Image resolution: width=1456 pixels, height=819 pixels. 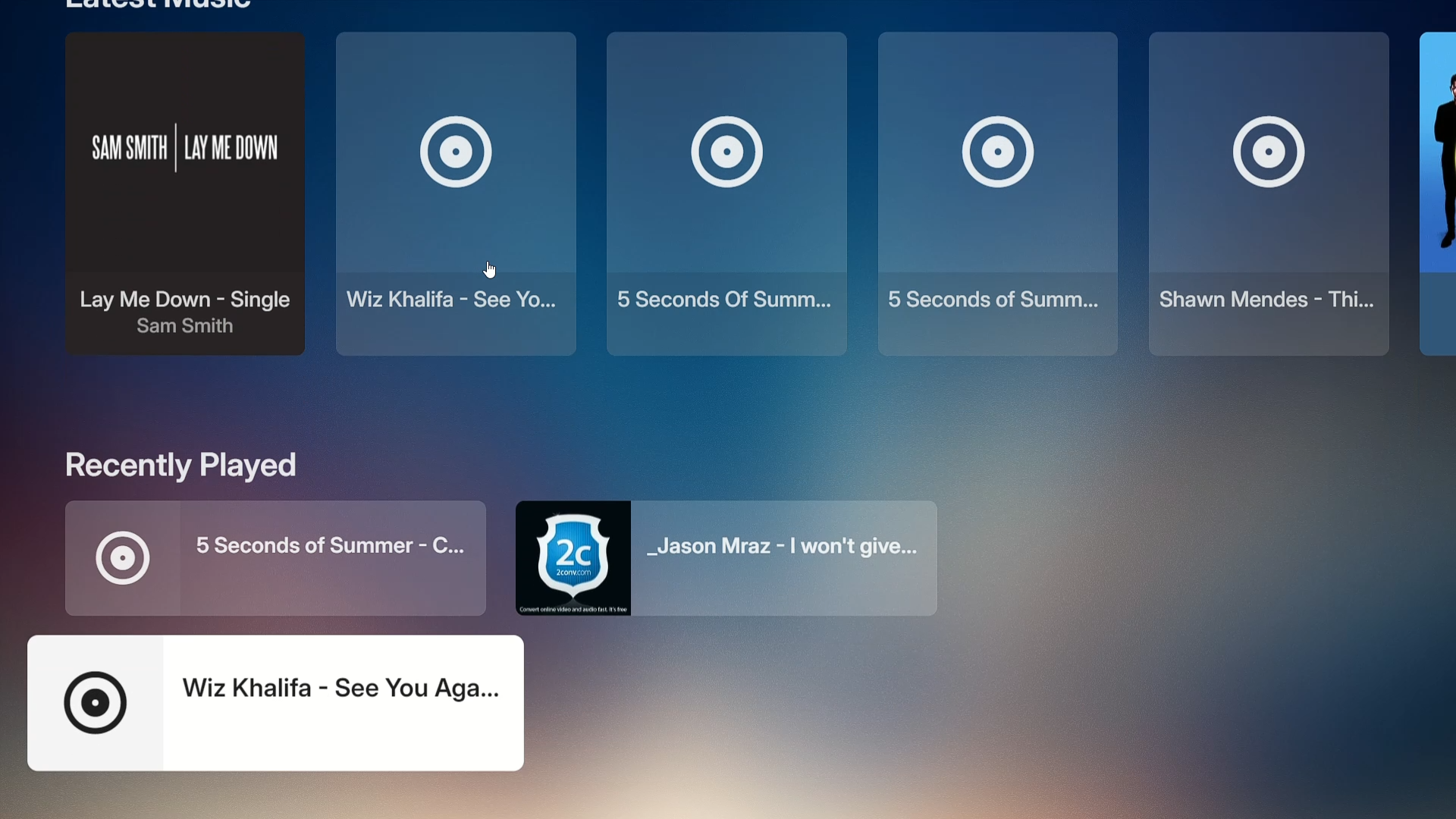 I want to click on Poster, so click(x=1432, y=191).